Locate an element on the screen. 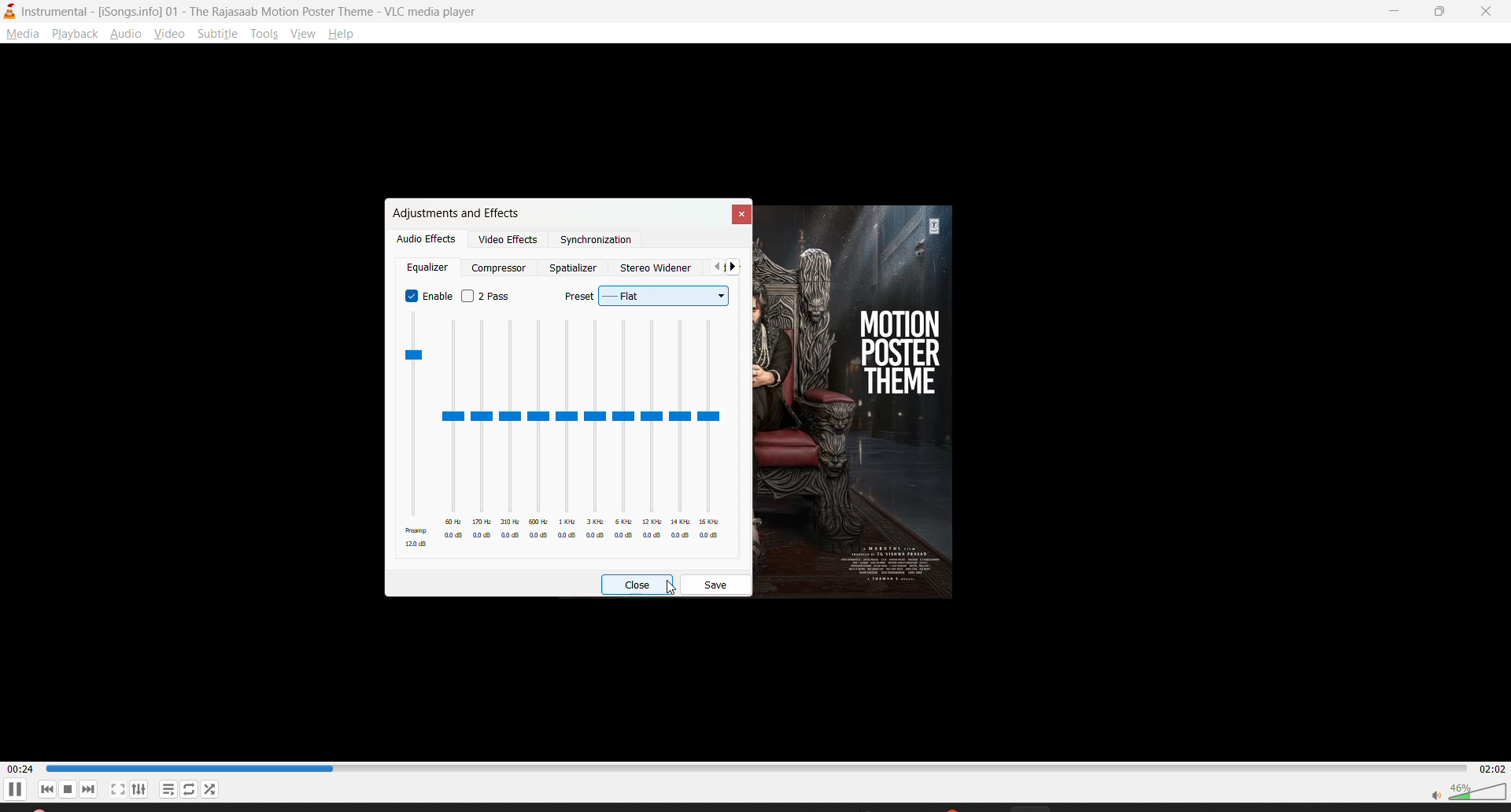 This screenshot has width=1511, height=812. equalizer is located at coordinates (430, 269).